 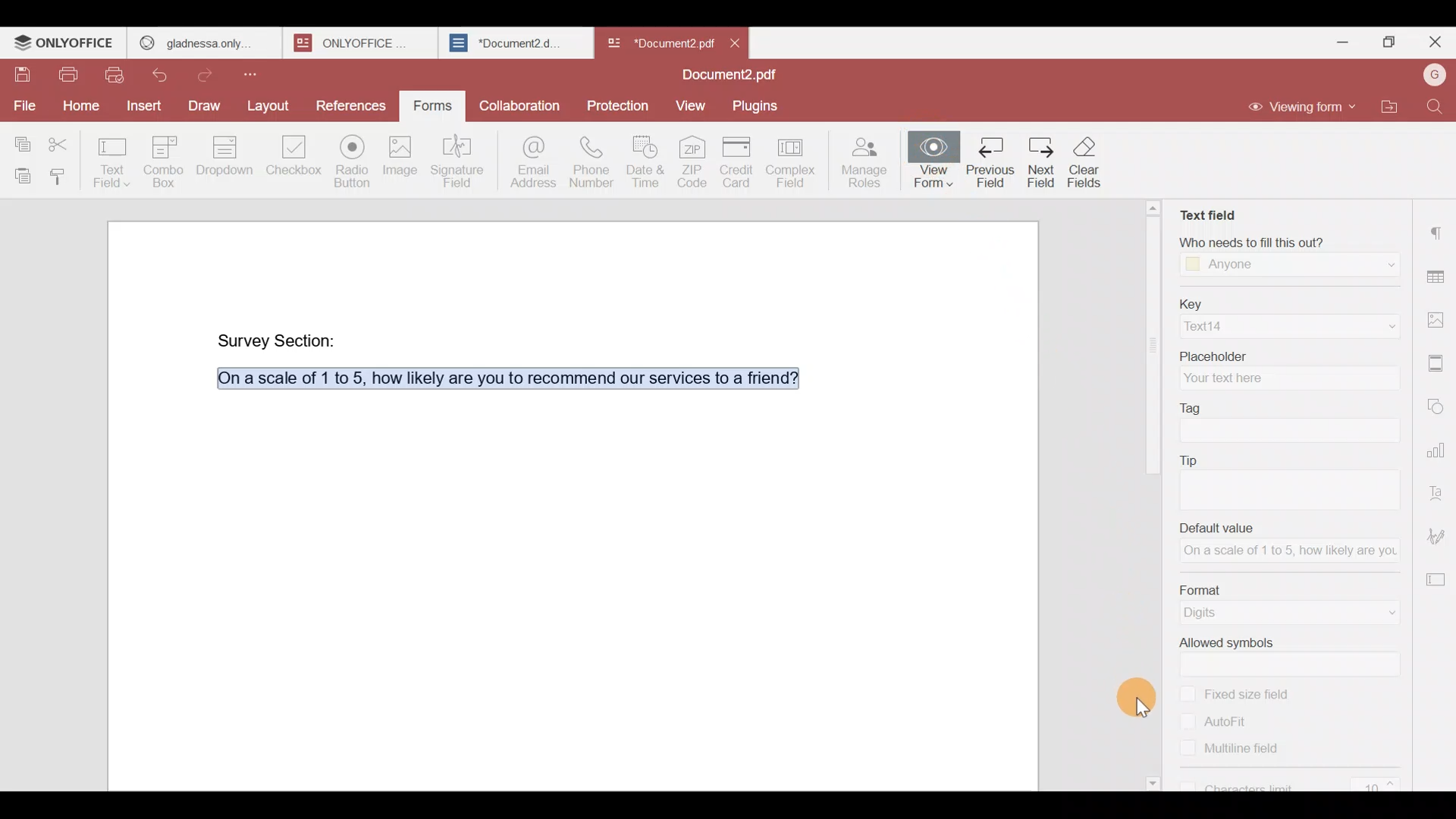 What do you see at coordinates (24, 105) in the screenshot?
I see `File` at bounding box center [24, 105].